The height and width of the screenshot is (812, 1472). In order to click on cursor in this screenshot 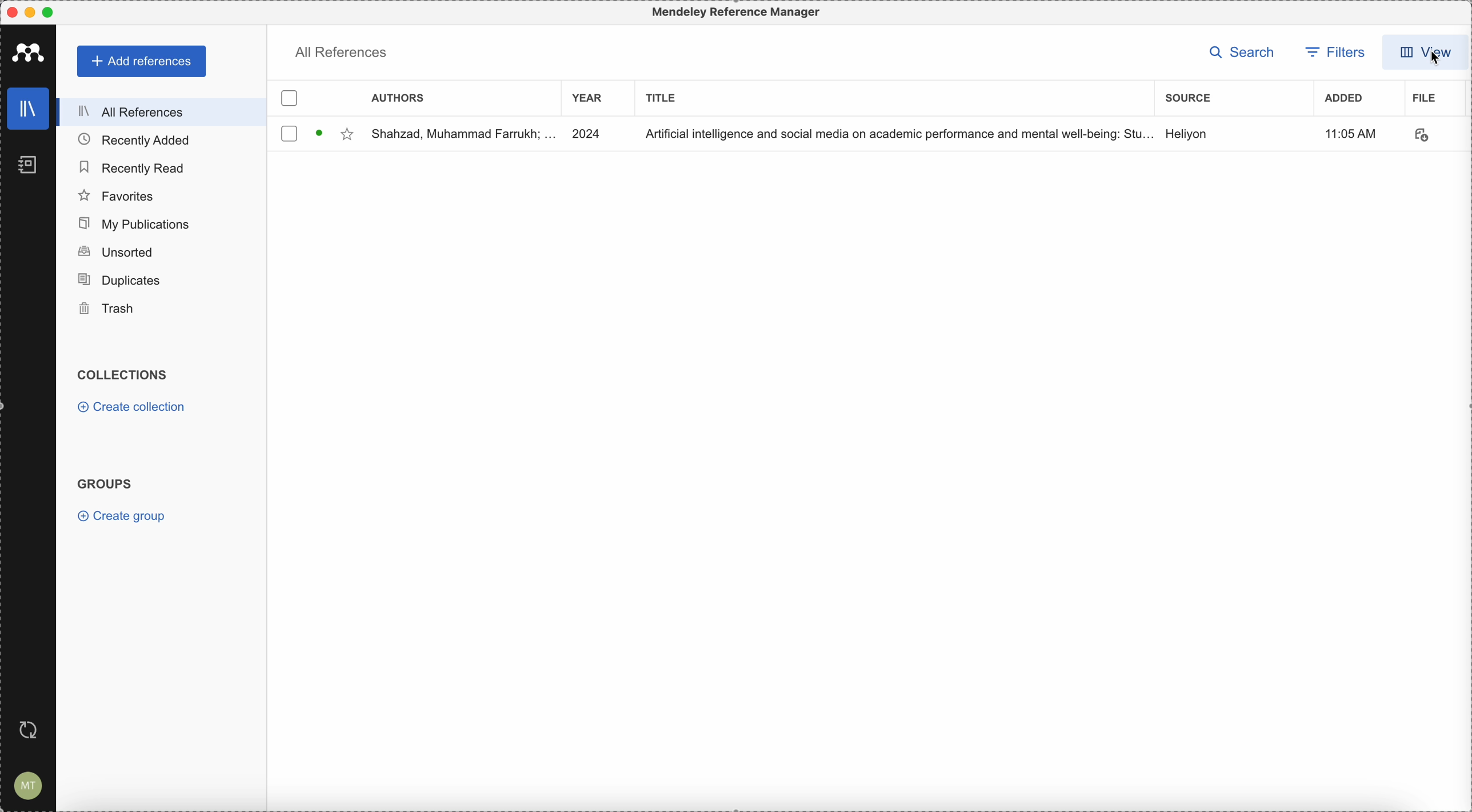, I will do `click(1438, 57)`.